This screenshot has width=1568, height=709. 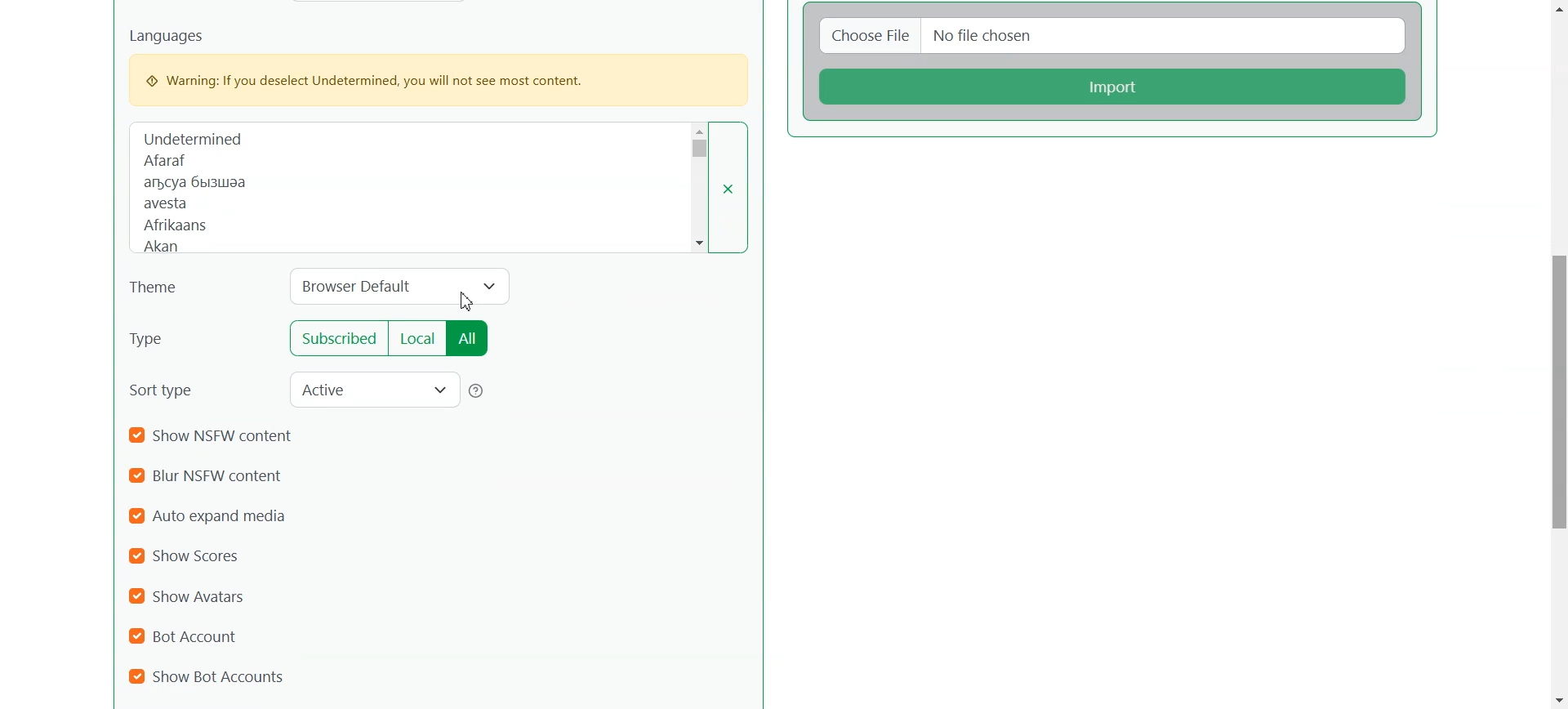 I want to click on Subscribed, so click(x=334, y=339).